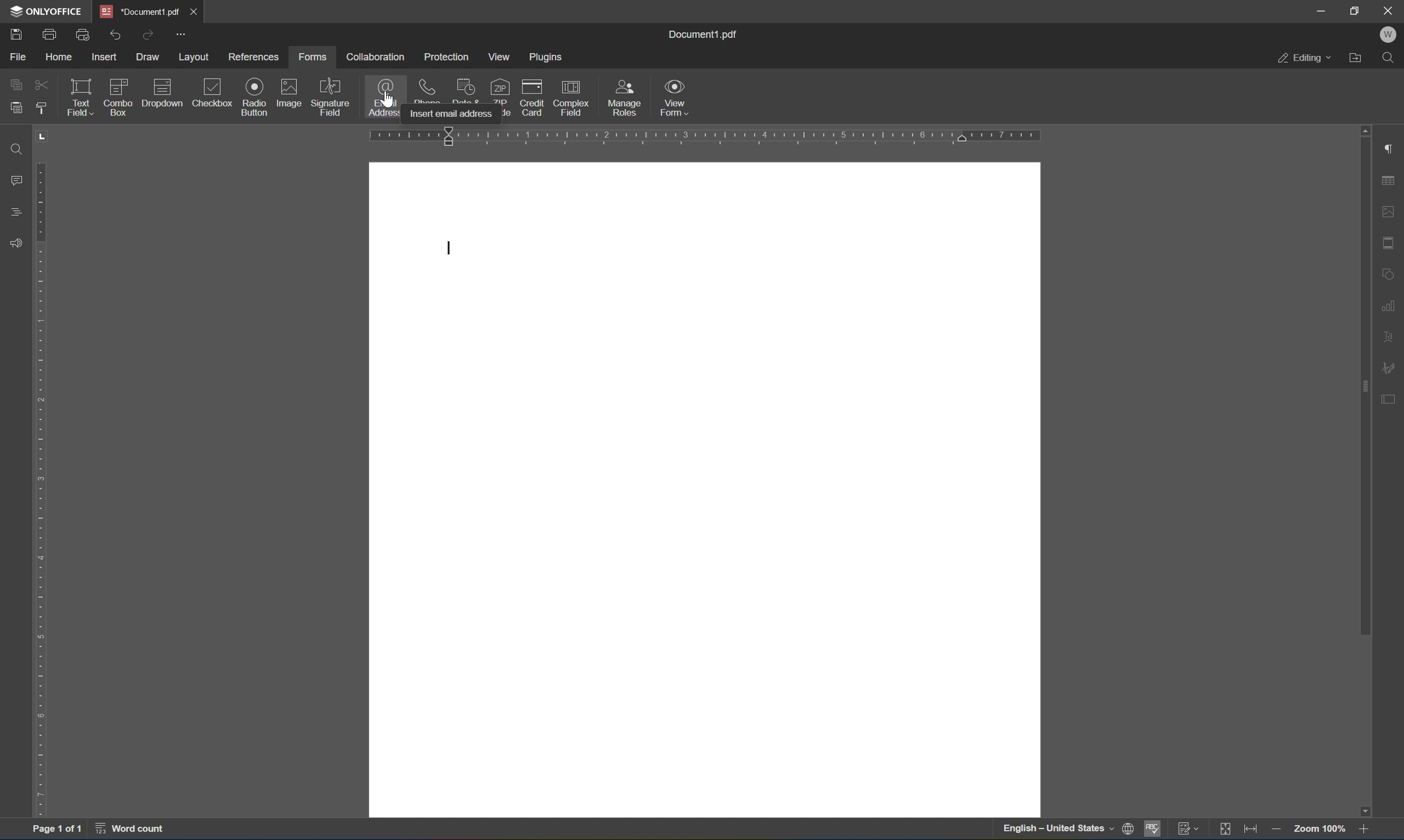 The width and height of the screenshot is (1404, 840). What do you see at coordinates (1275, 832) in the screenshot?
I see `zoom out` at bounding box center [1275, 832].